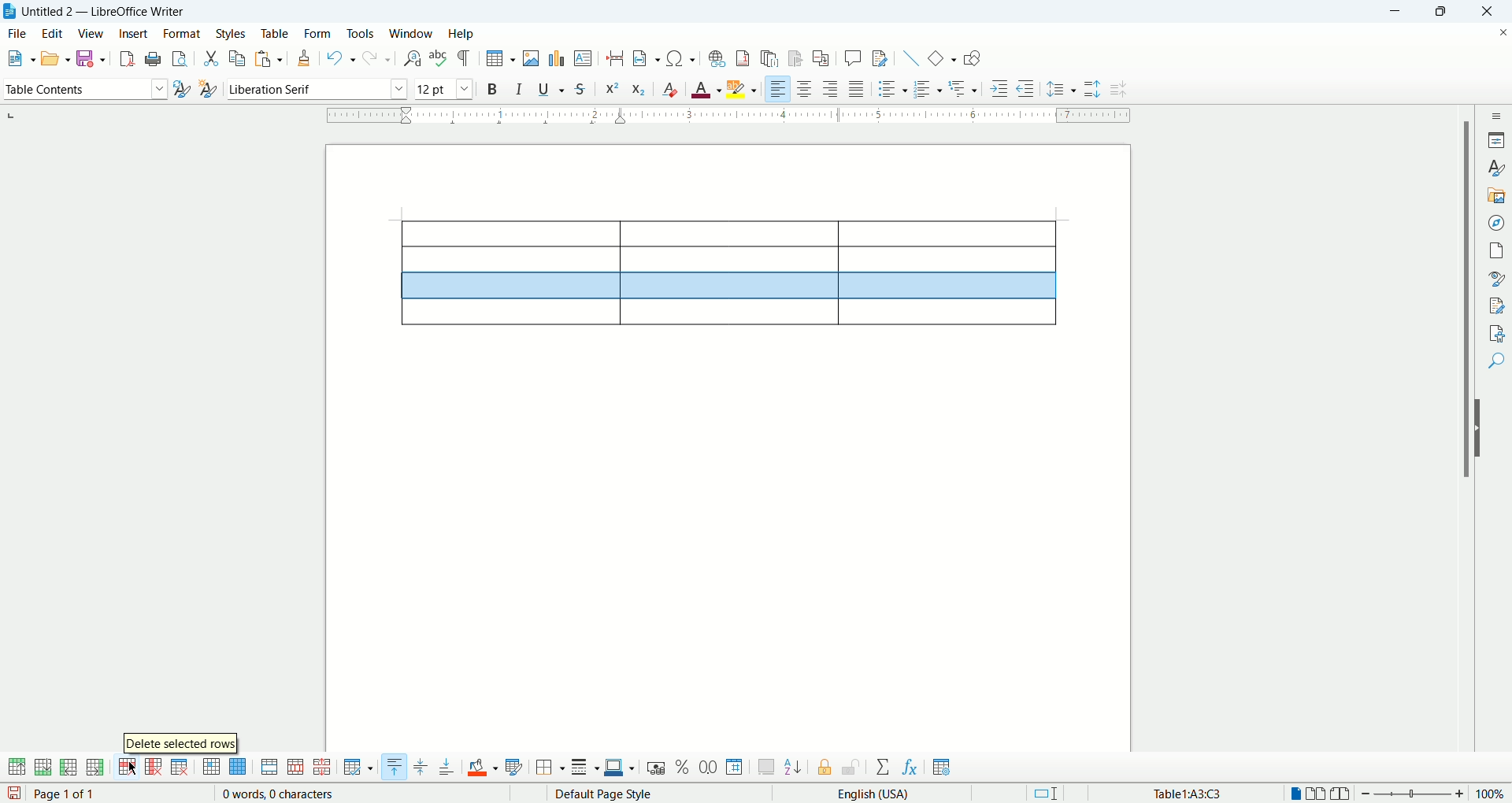 The height and width of the screenshot is (803, 1512). What do you see at coordinates (706, 90) in the screenshot?
I see `font color` at bounding box center [706, 90].